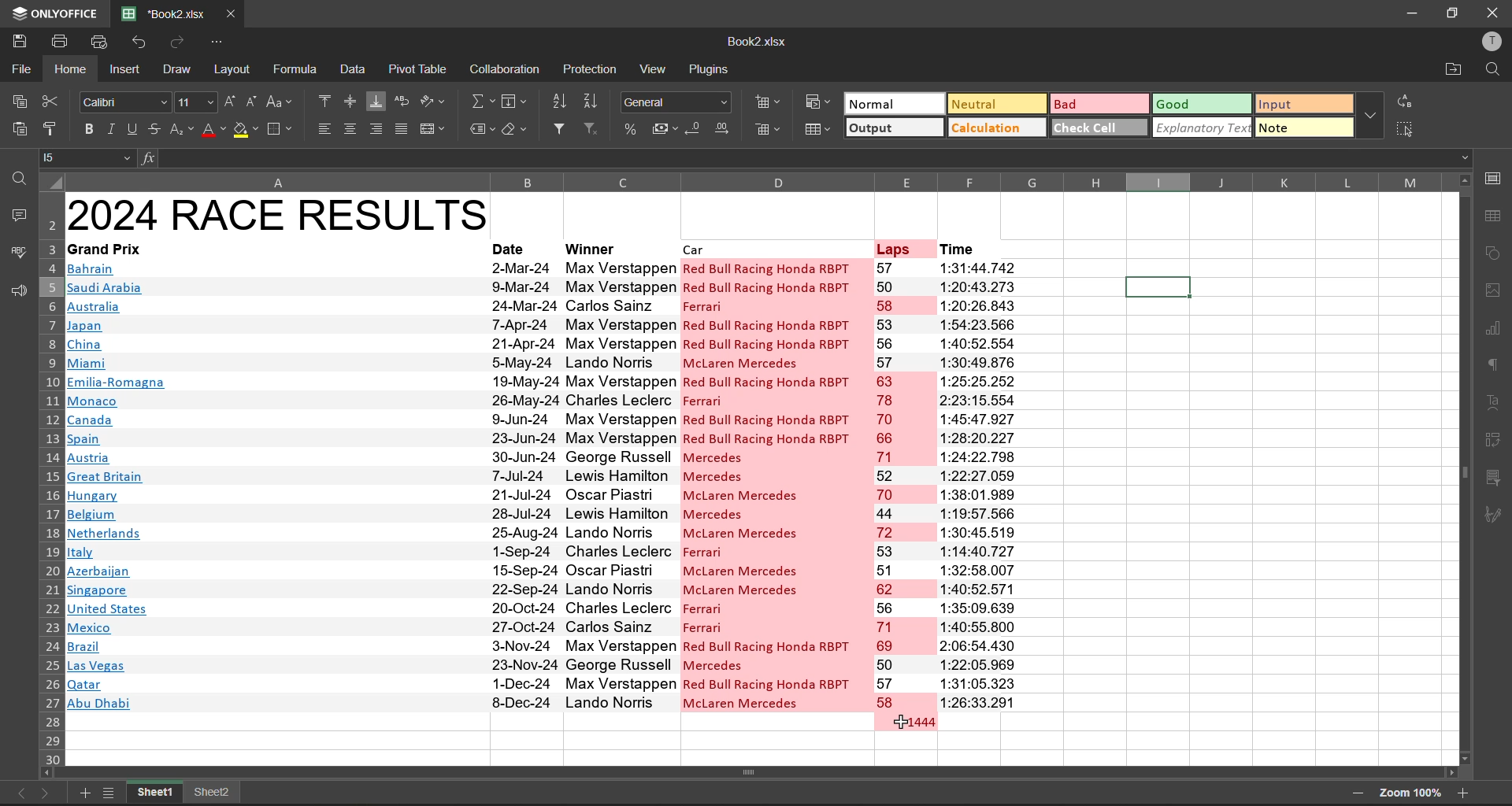 The height and width of the screenshot is (806, 1512). What do you see at coordinates (819, 134) in the screenshot?
I see `format as table` at bounding box center [819, 134].